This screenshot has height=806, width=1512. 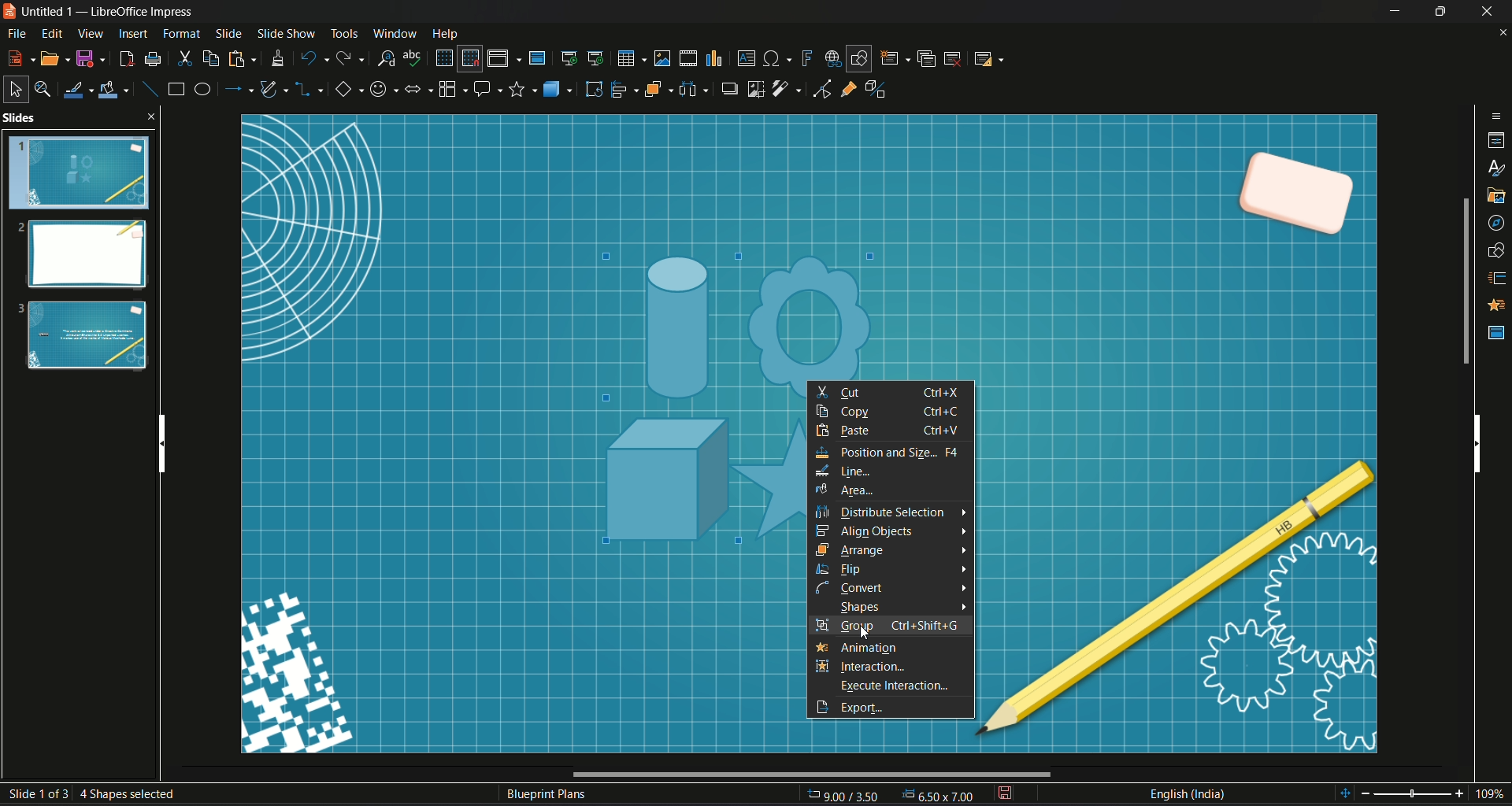 I want to click on area, so click(x=847, y=490).